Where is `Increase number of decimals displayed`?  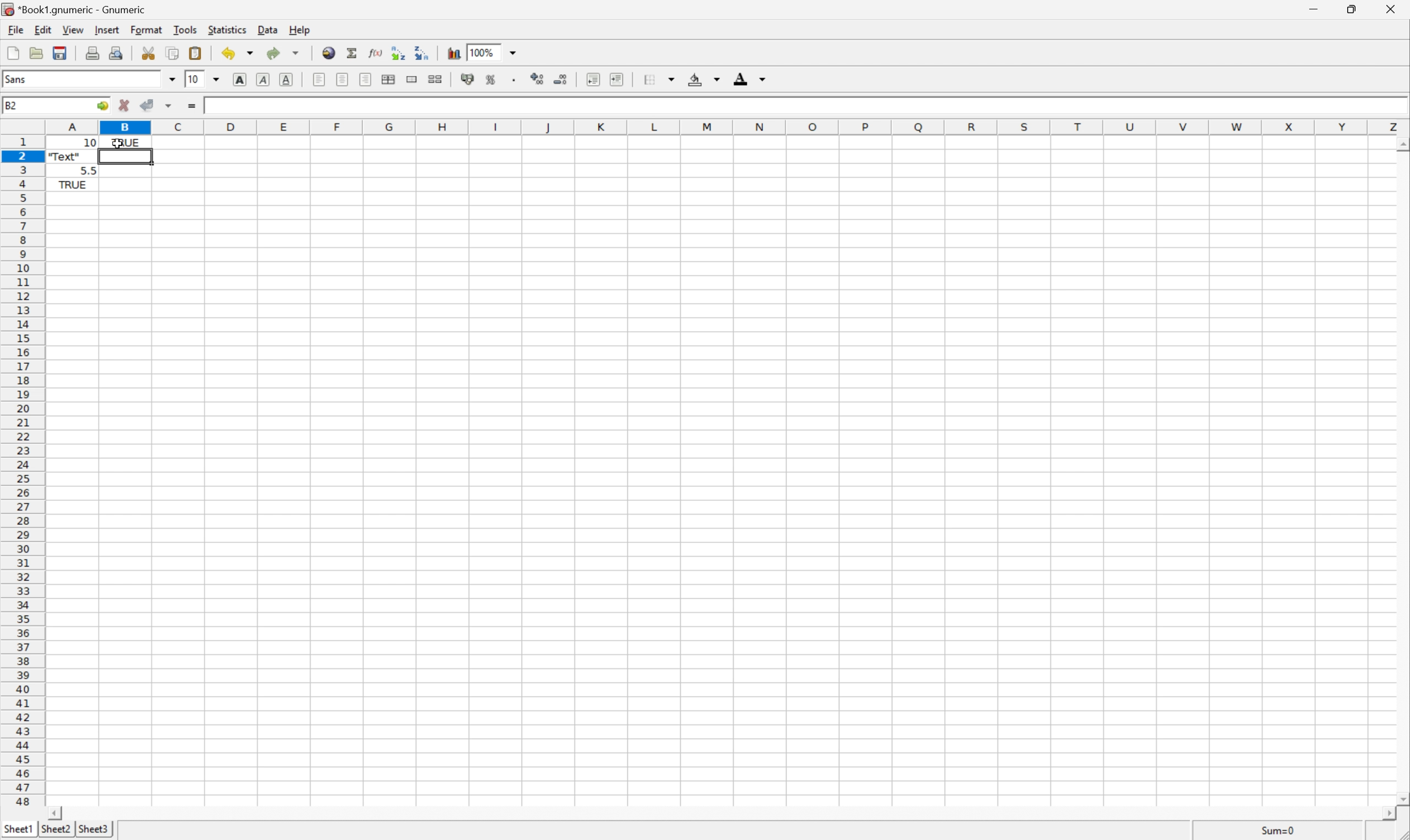
Increase number of decimals displayed is located at coordinates (538, 79).